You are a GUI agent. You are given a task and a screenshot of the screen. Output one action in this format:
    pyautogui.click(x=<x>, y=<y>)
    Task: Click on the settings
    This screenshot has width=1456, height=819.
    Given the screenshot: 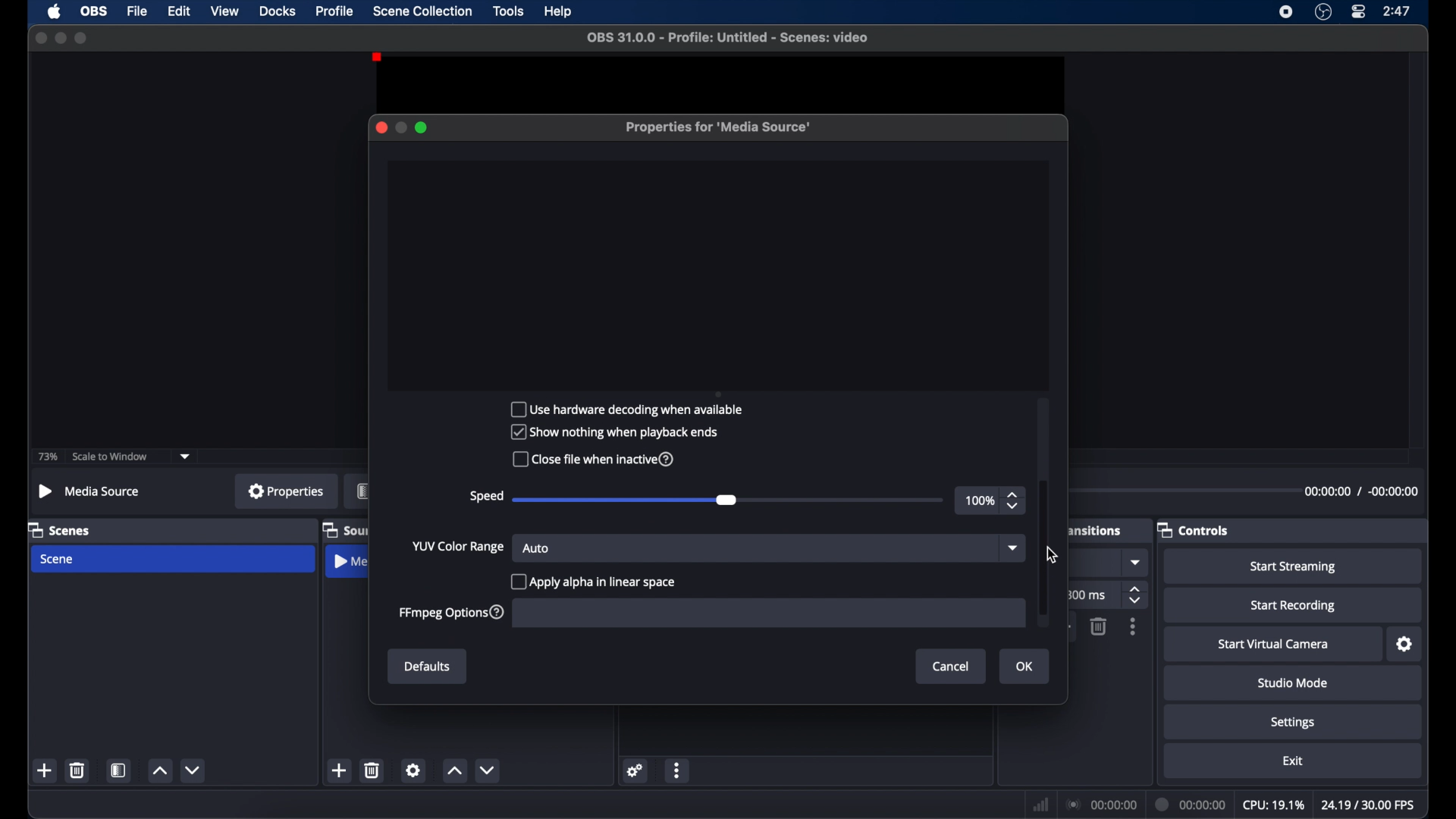 What is the action you would take?
    pyautogui.click(x=413, y=770)
    